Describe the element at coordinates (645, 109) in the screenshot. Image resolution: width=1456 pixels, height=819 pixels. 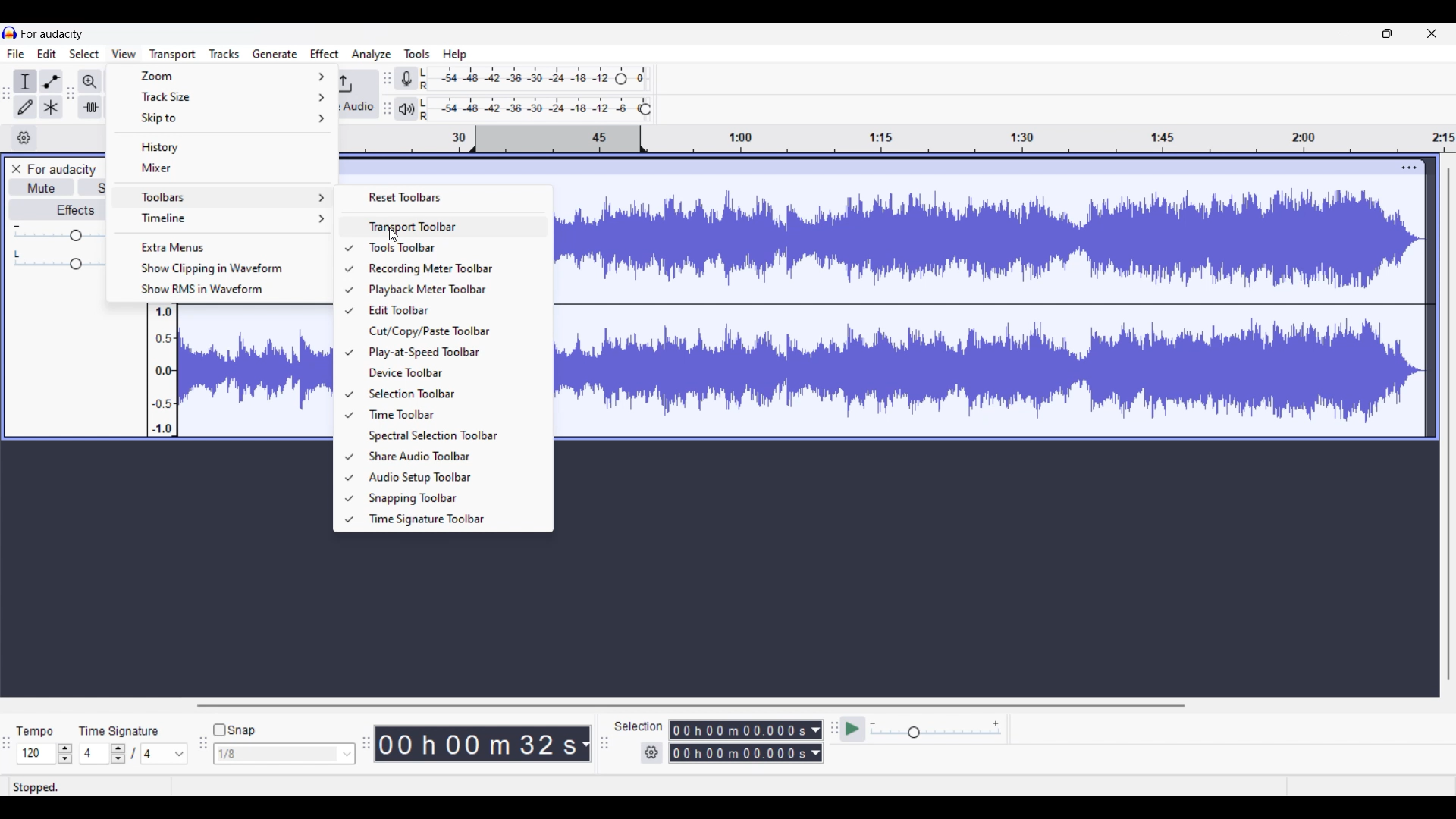
I see `Recording to change playback level ` at that location.